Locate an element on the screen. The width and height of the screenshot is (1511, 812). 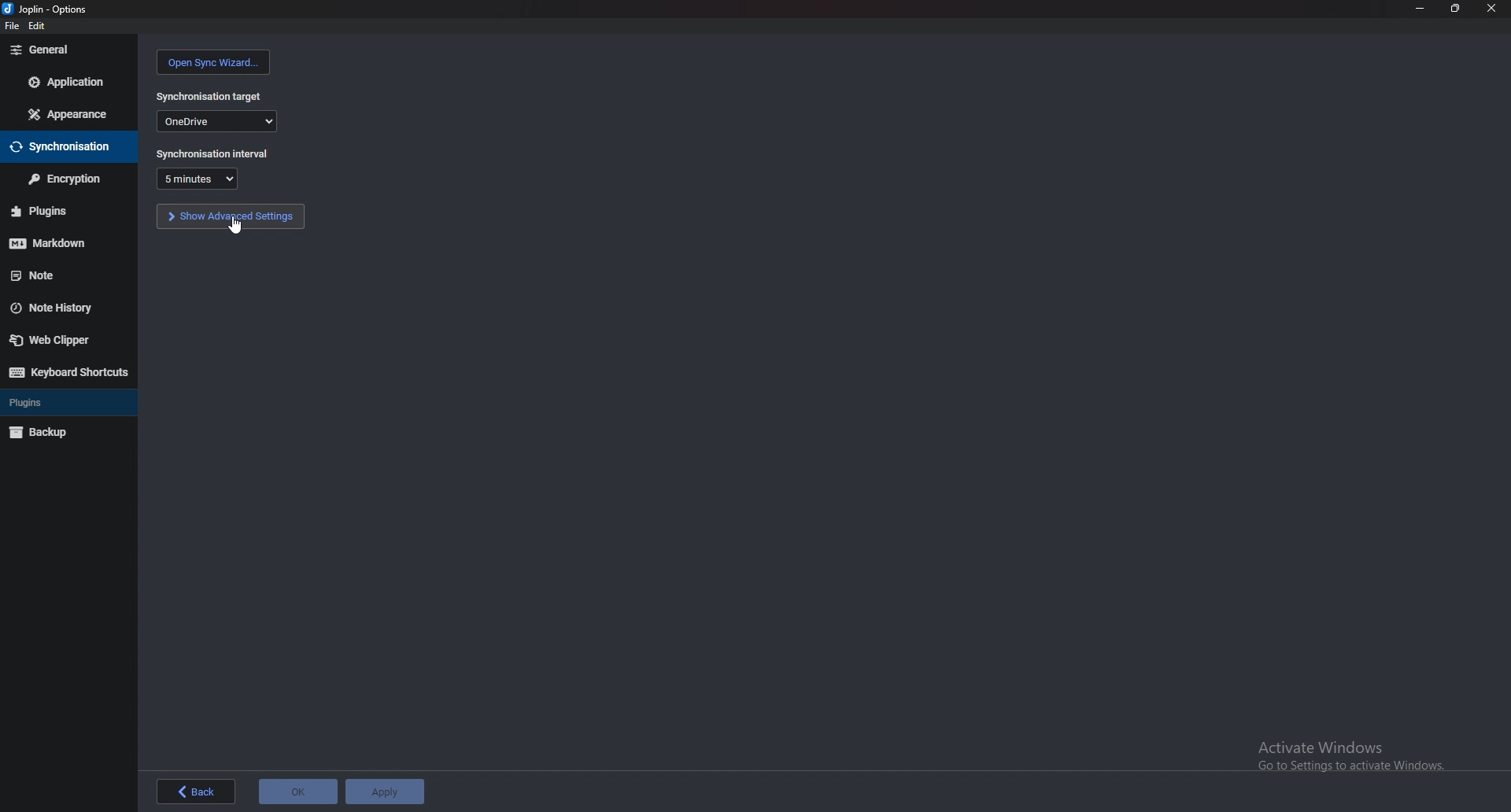
ok is located at coordinates (297, 792).